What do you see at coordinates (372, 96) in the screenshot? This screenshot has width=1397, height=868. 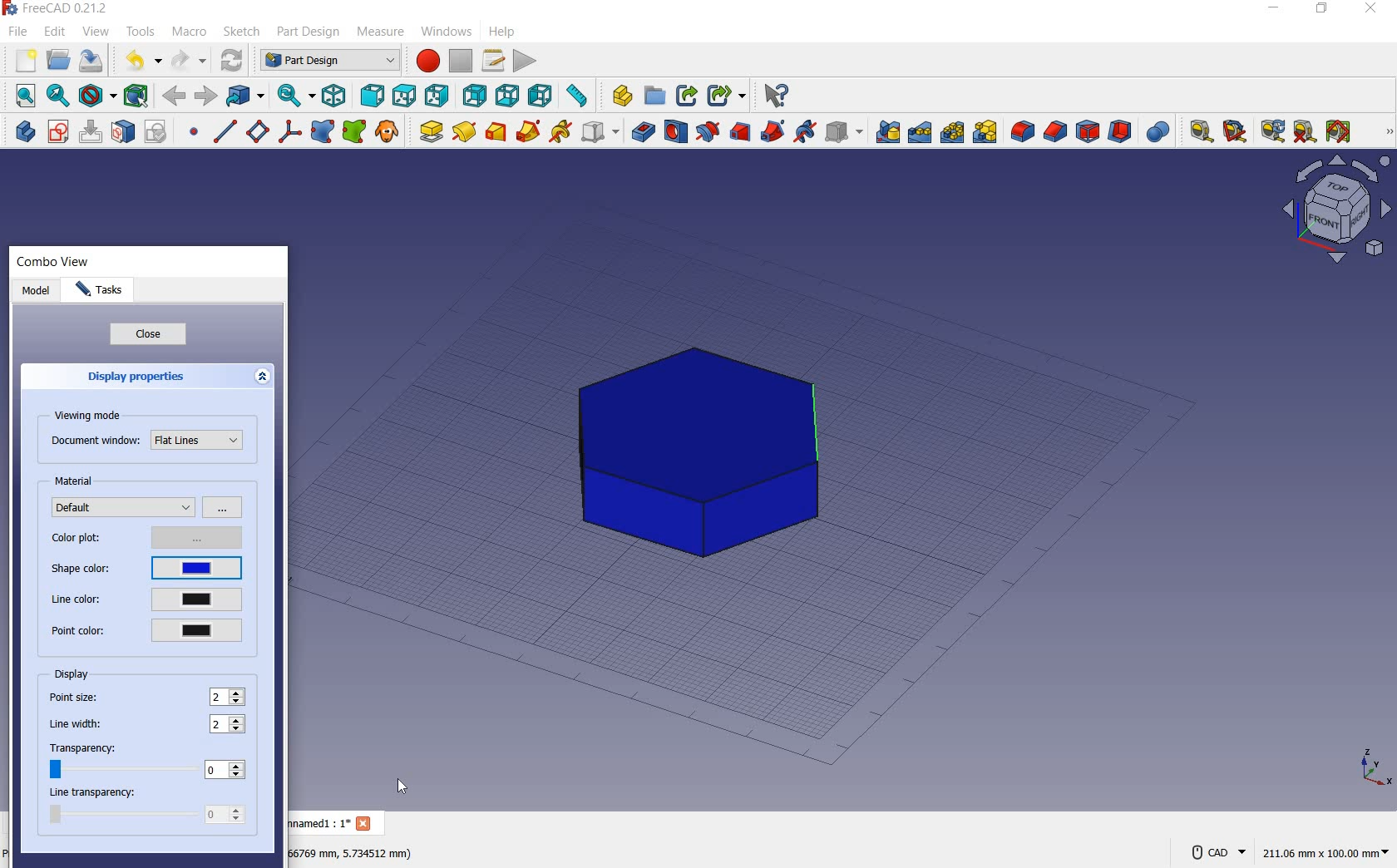 I see `front` at bounding box center [372, 96].